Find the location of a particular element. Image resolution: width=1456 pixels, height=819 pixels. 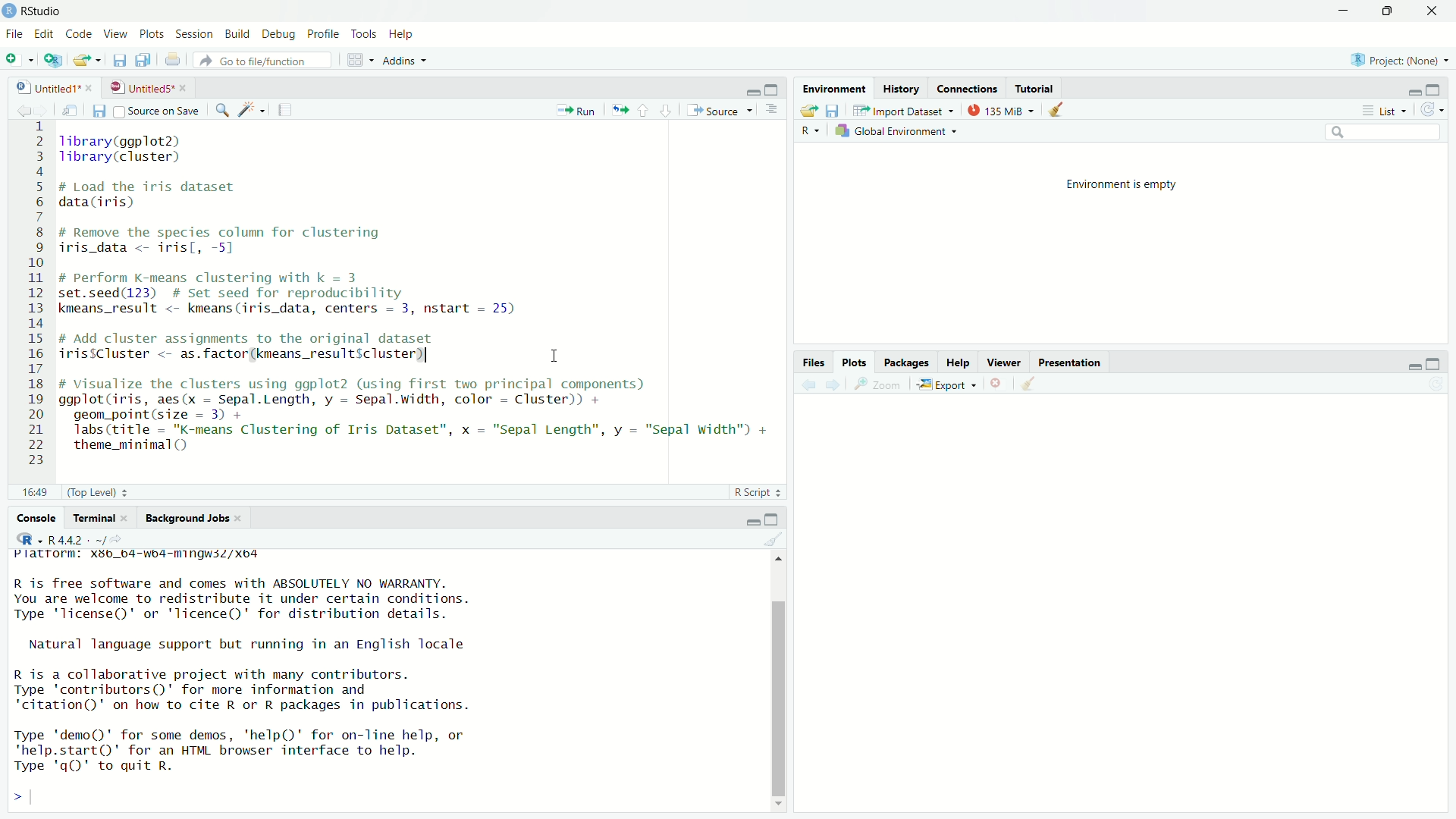

compile report is located at coordinates (285, 111).